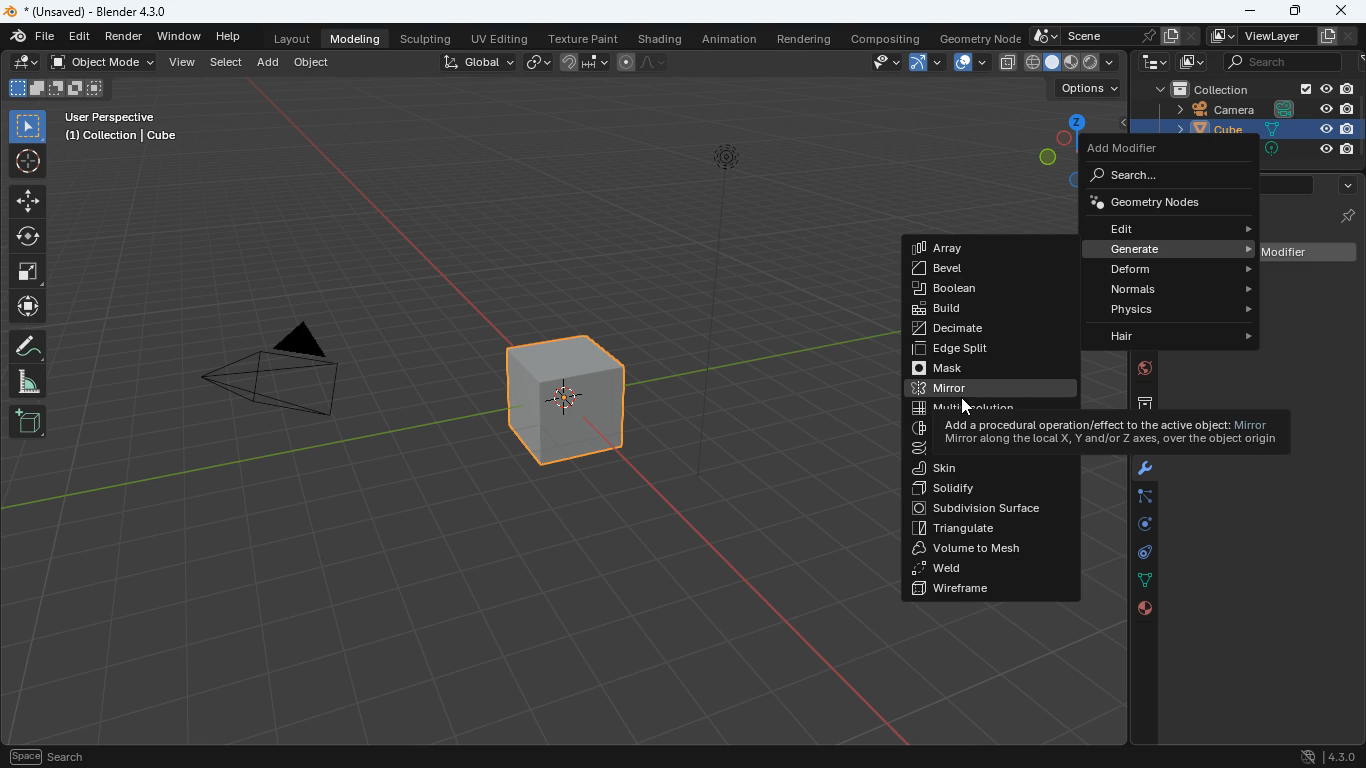 The height and width of the screenshot is (768, 1366). Describe the element at coordinates (32, 37) in the screenshot. I see `file` at that location.